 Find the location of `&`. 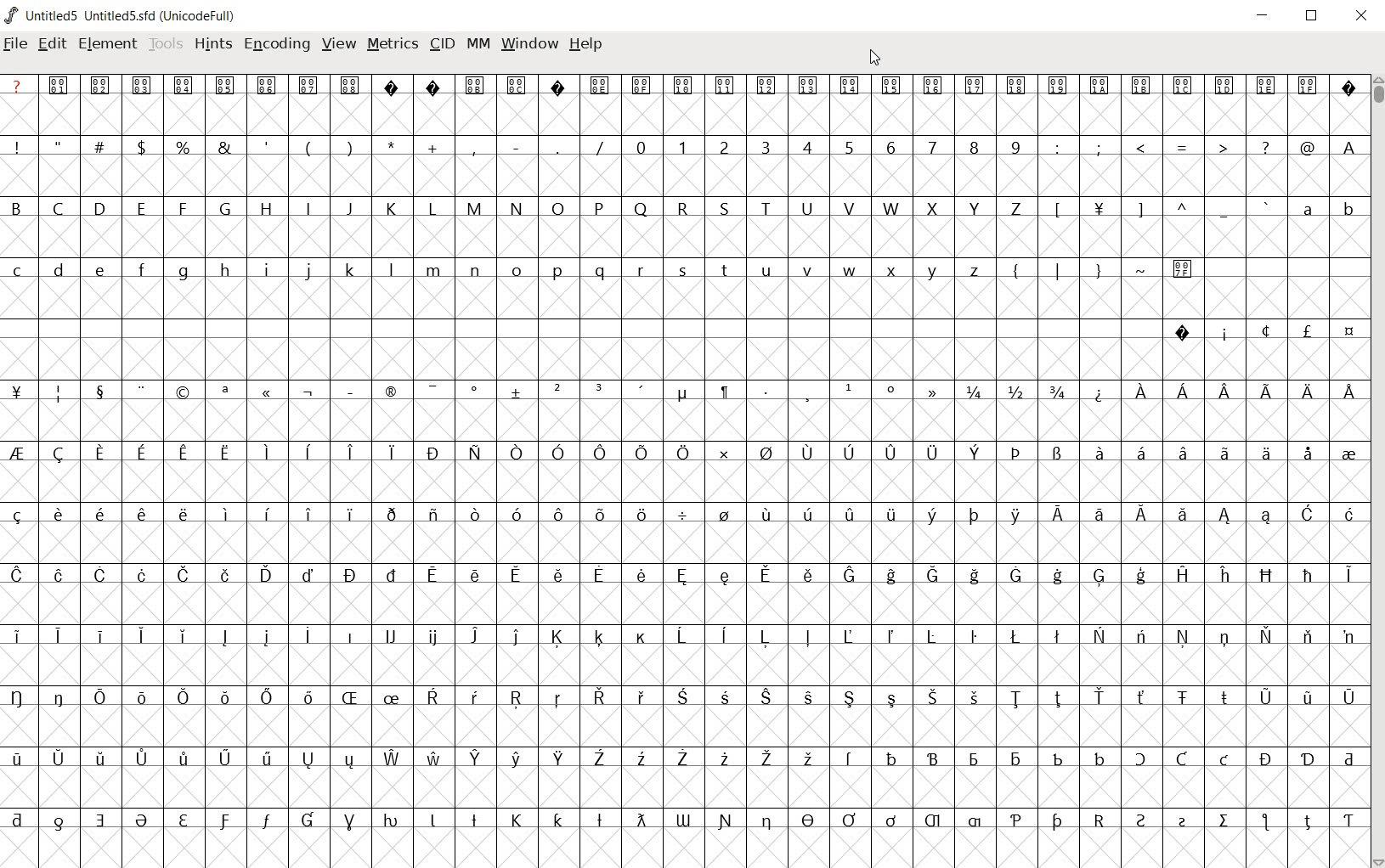

& is located at coordinates (227, 146).